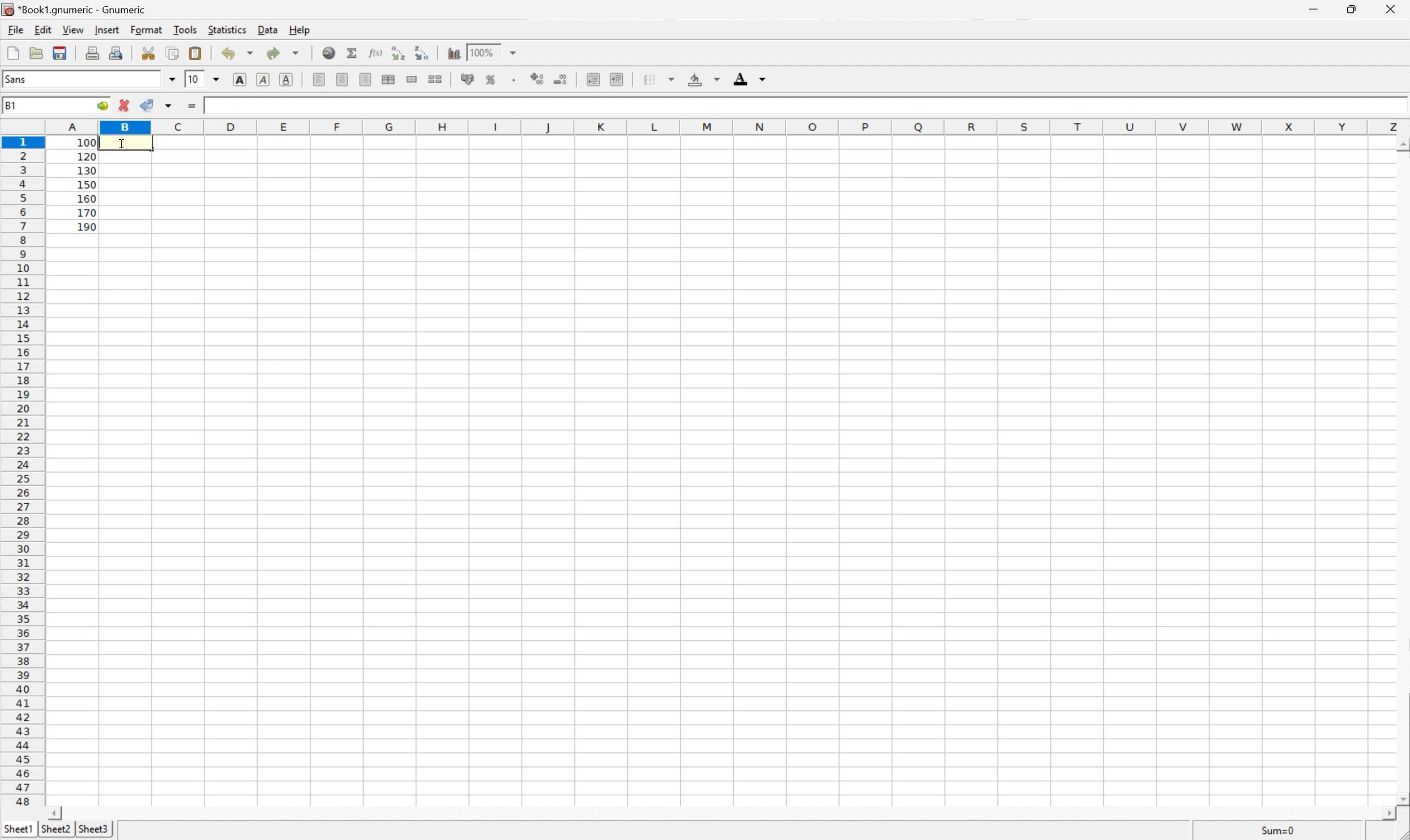 This screenshot has width=1410, height=840. I want to click on Column names, so click(725, 127).